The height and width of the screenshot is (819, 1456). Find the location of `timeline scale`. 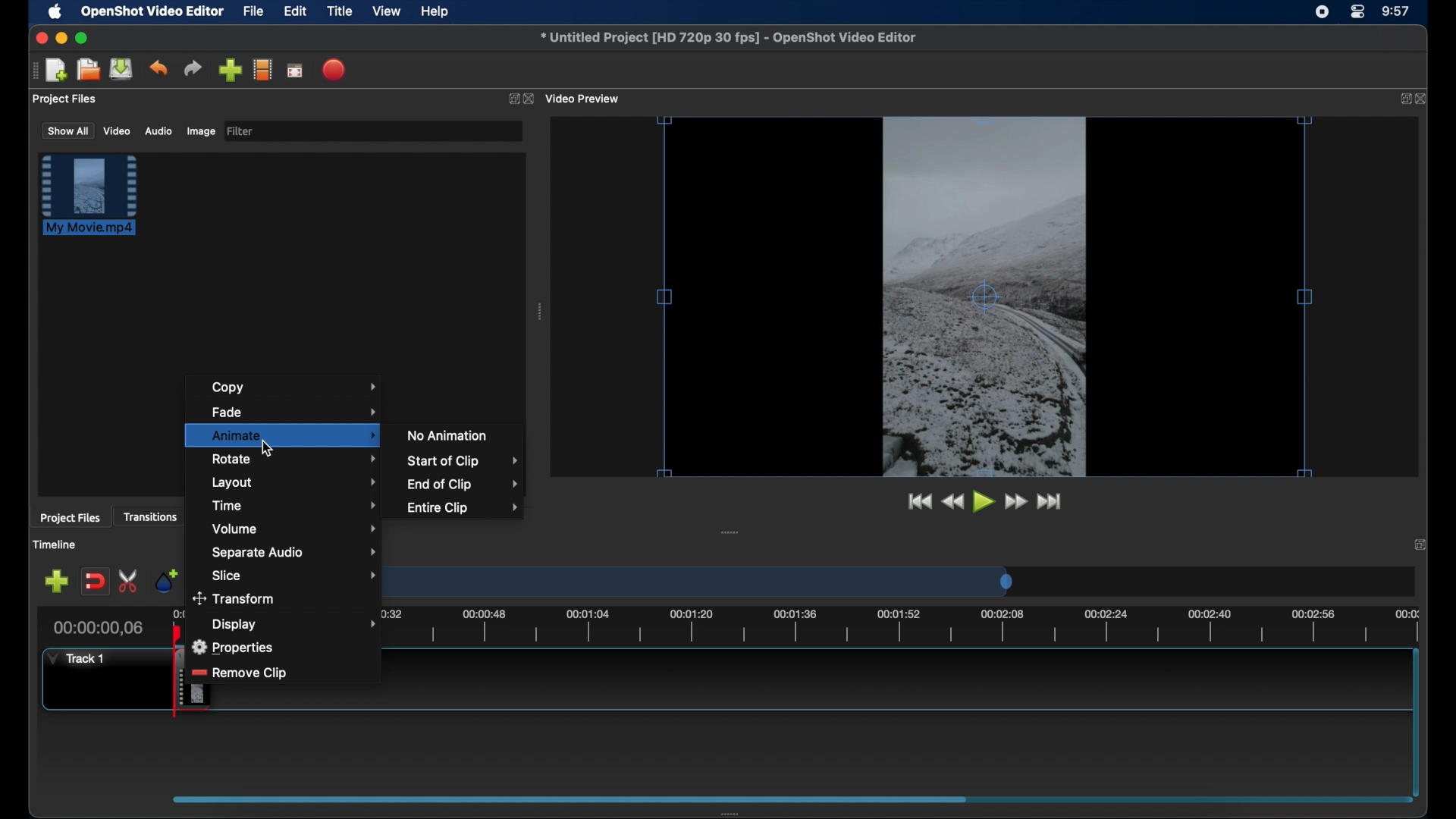

timeline scale is located at coordinates (719, 581).